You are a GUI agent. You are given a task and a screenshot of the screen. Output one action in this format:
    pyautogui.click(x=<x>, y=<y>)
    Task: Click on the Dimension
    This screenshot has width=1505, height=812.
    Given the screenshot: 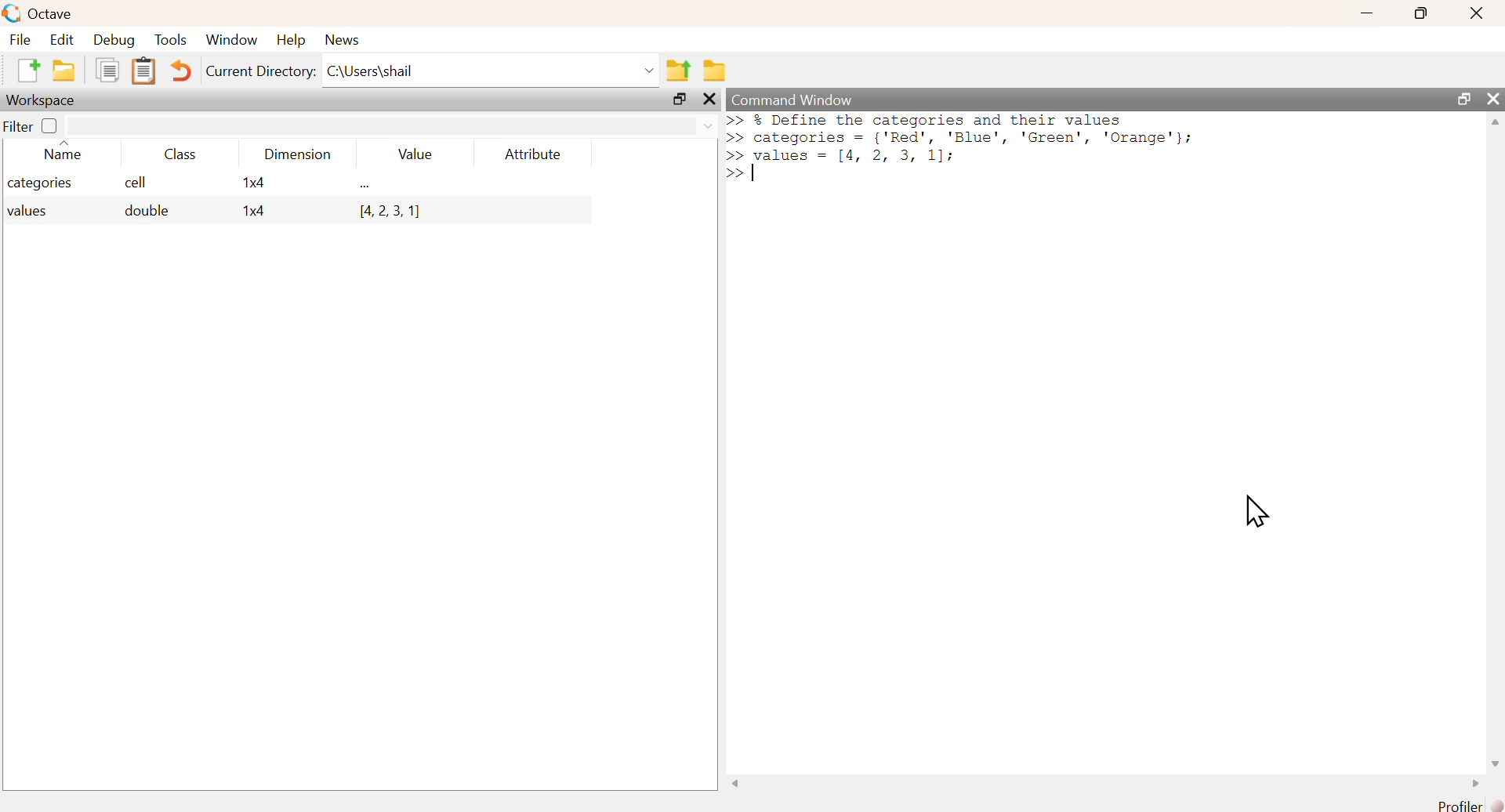 What is the action you would take?
    pyautogui.click(x=300, y=155)
    